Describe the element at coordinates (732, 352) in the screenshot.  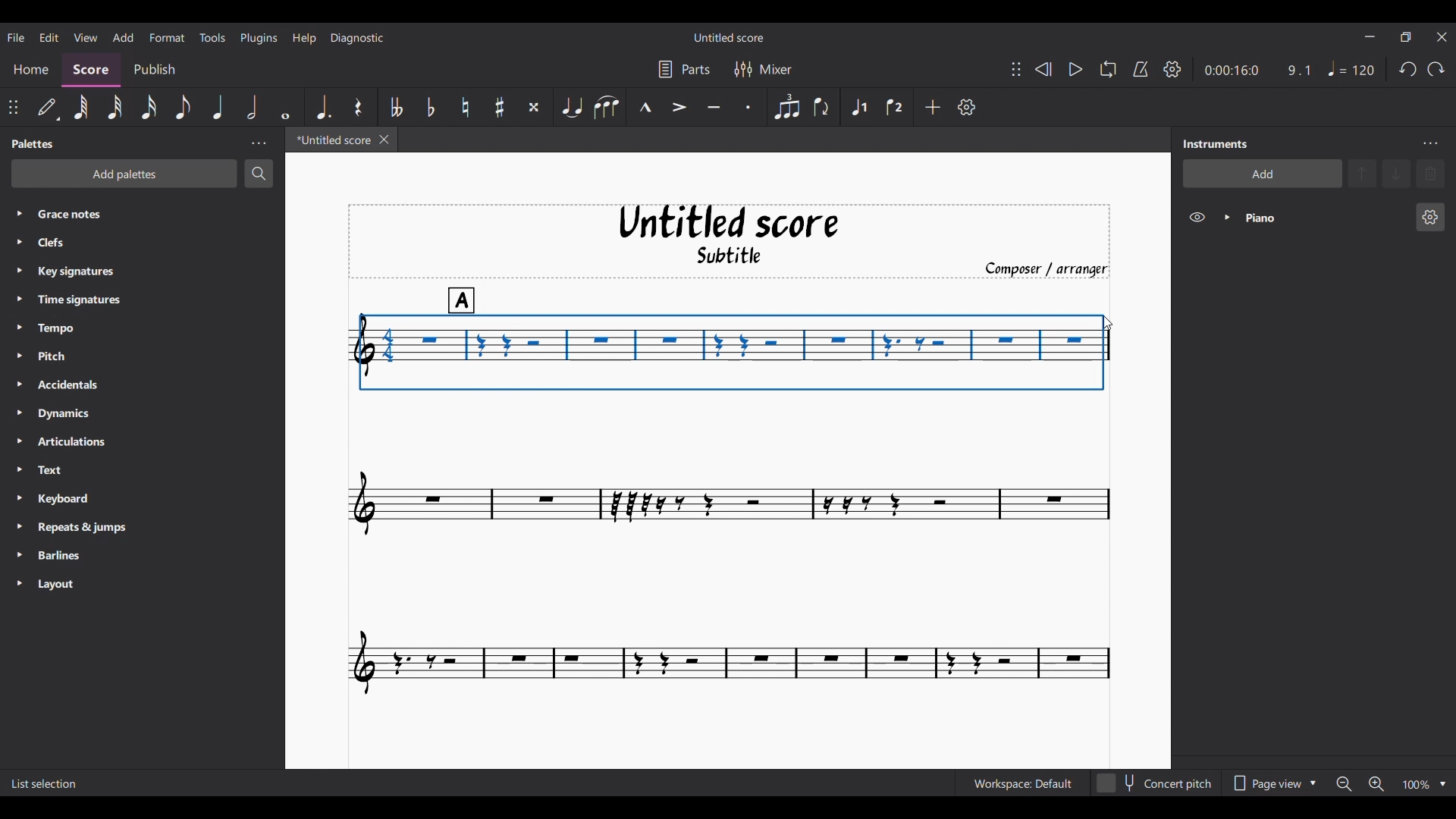
I see `Cursor selecting notes` at that location.